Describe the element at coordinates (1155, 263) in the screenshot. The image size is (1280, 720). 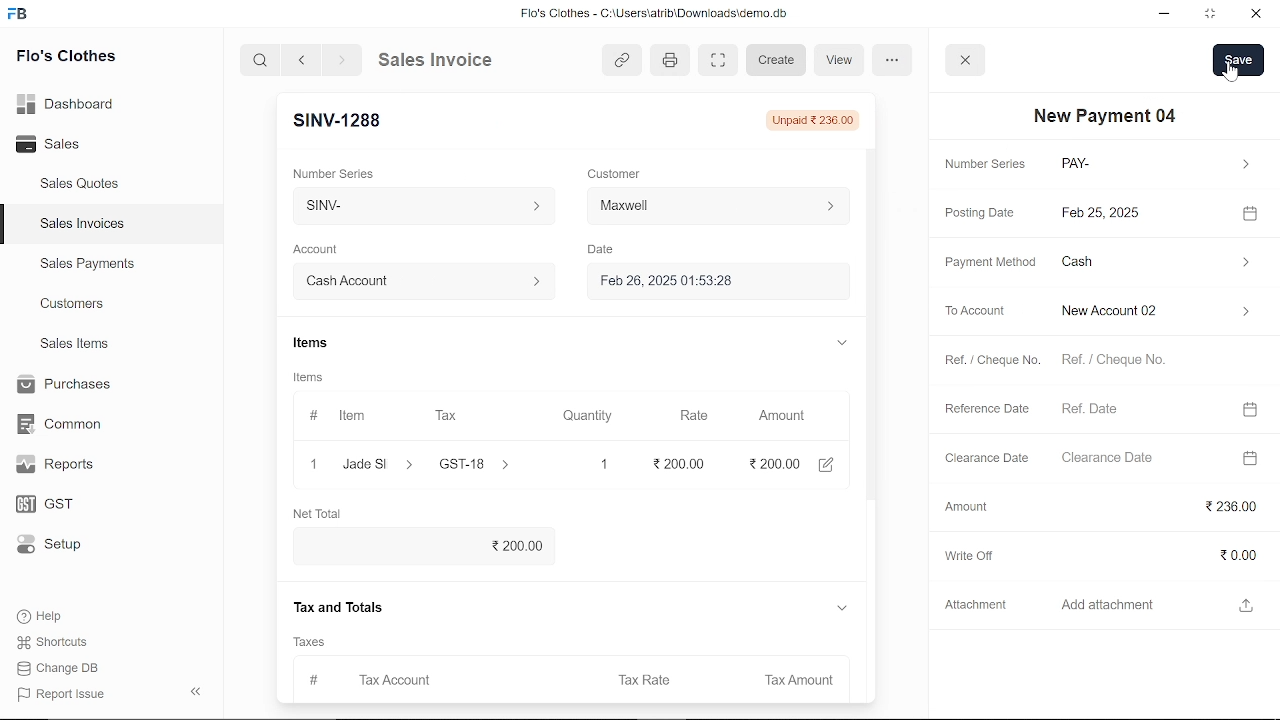
I see `cash` at that location.